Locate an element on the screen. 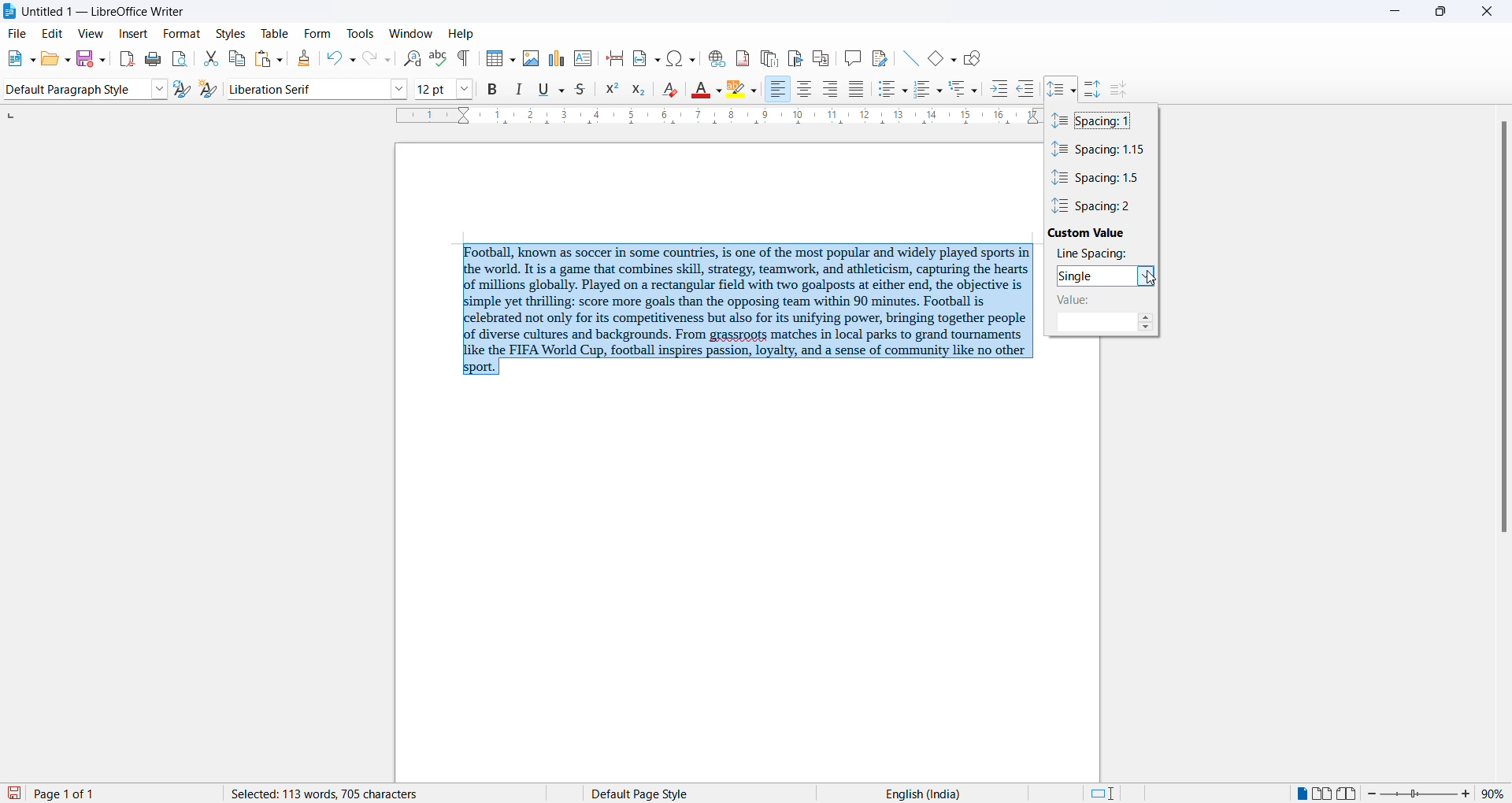 This screenshot has height=803, width=1512. bold is located at coordinates (494, 89).